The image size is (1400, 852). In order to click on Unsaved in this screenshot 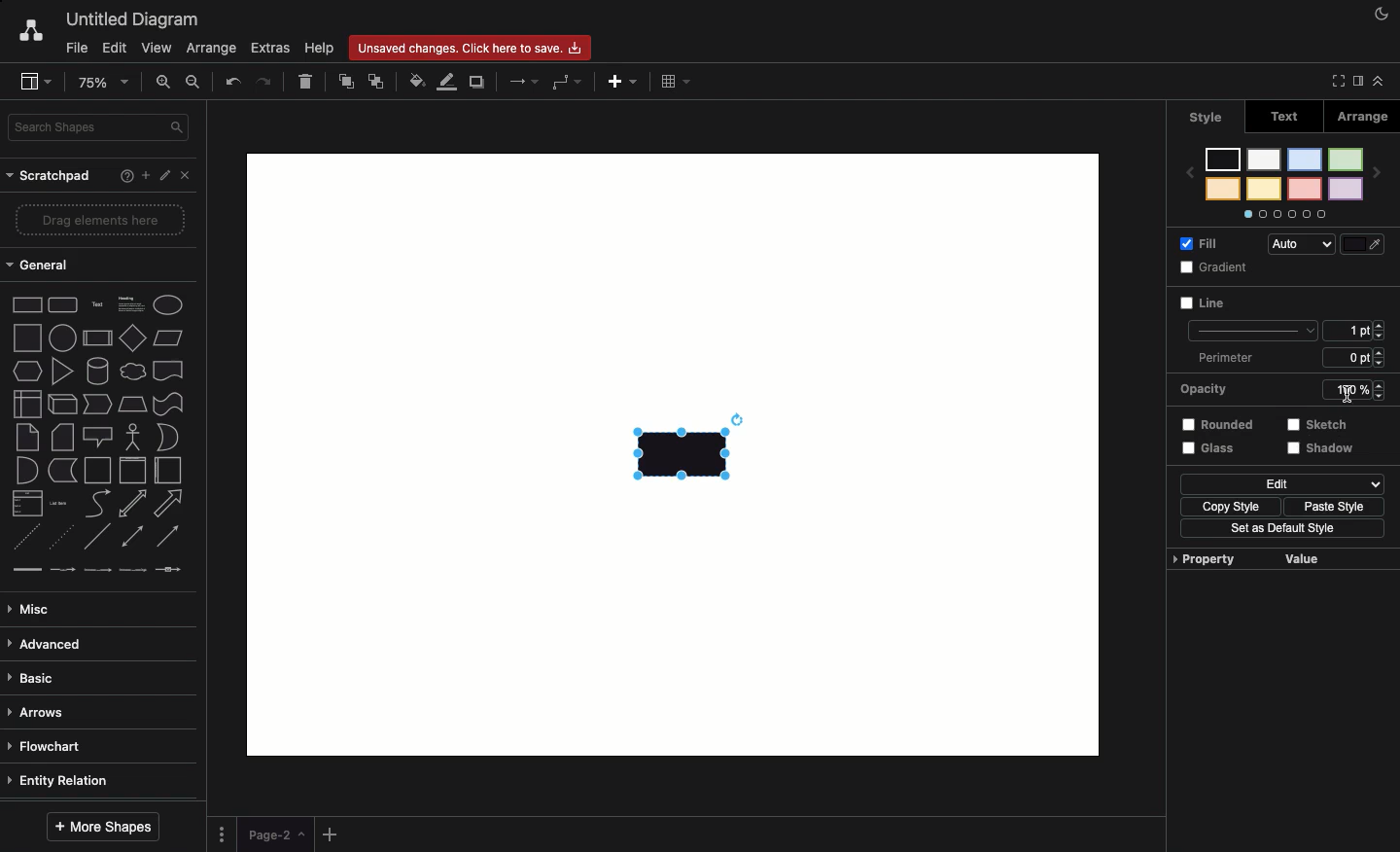, I will do `click(471, 50)`.